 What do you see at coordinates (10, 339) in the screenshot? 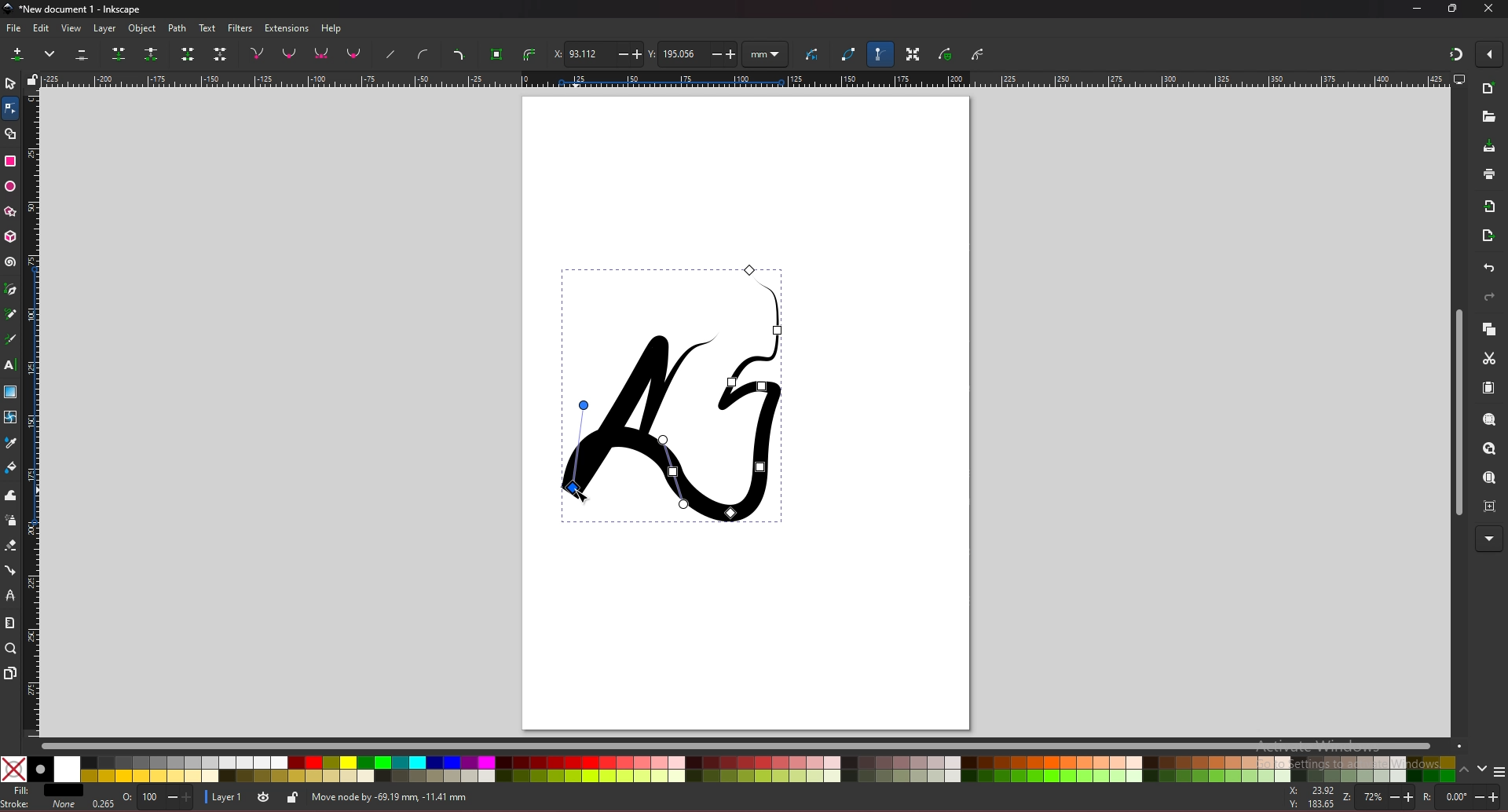
I see `calligraphy` at bounding box center [10, 339].